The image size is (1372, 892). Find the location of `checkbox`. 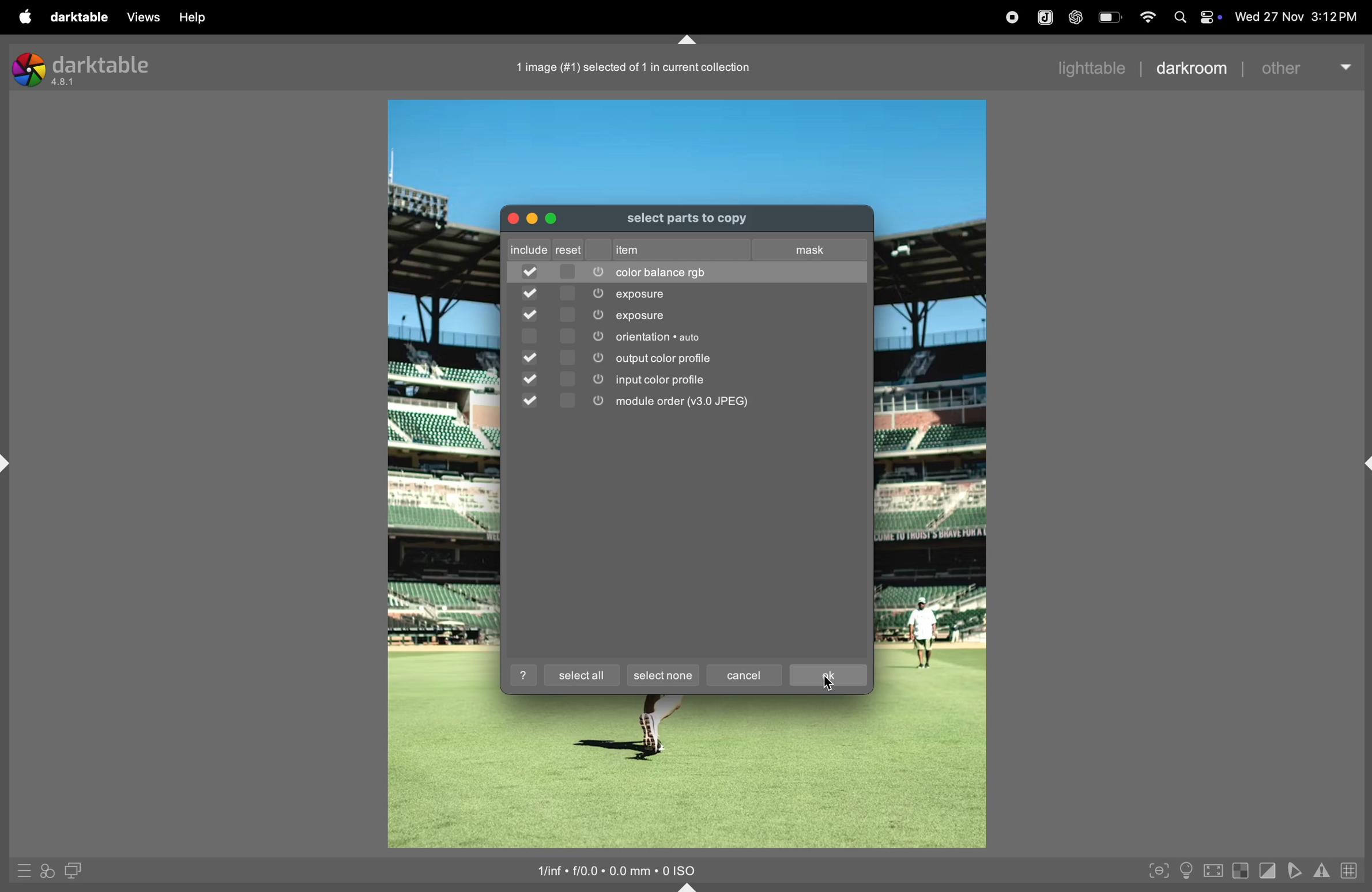

checkbox is located at coordinates (533, 379).